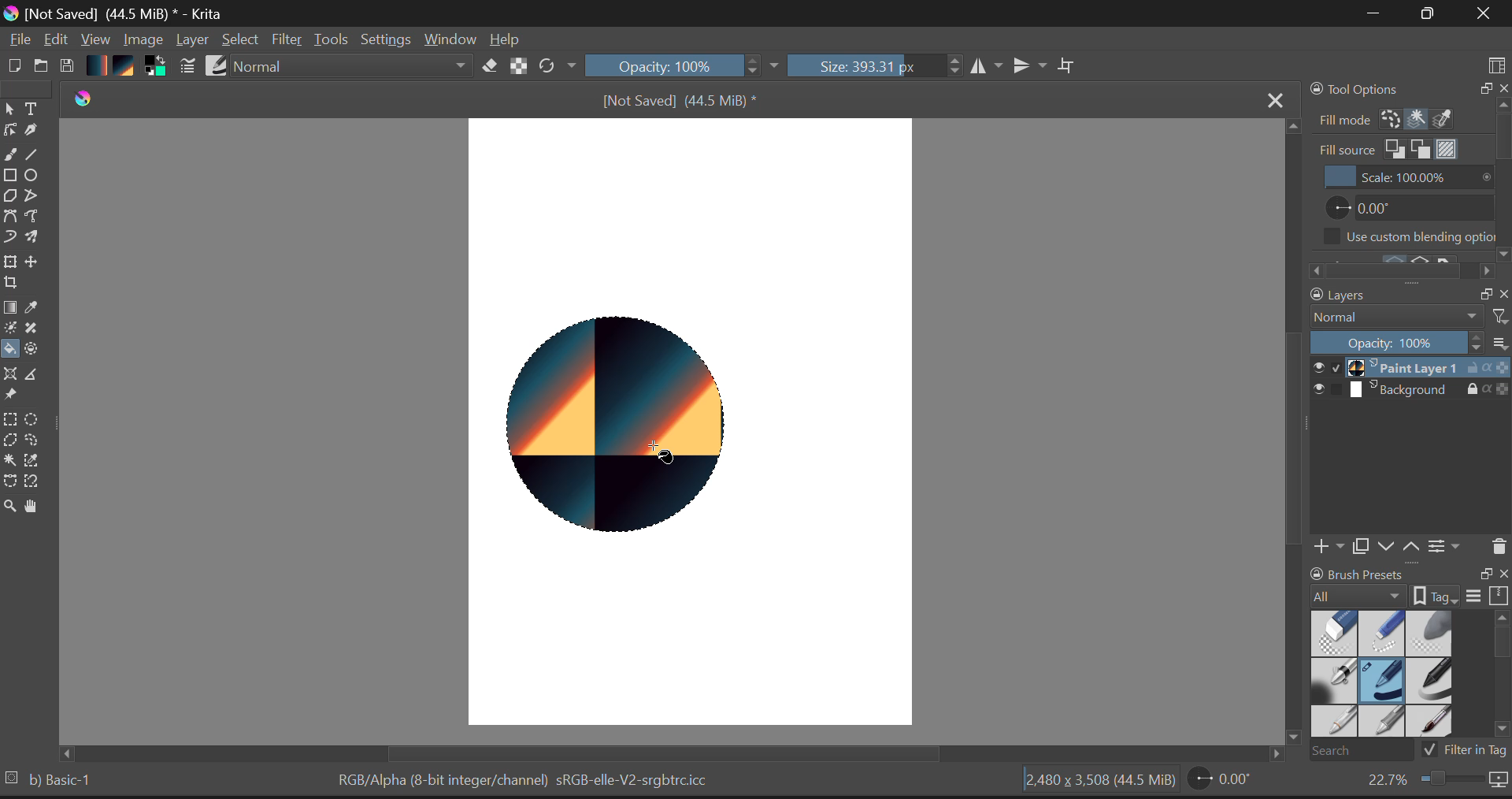 This screenshot has height=799, width=1512. What do you see at coordinates (557, 67) in the screenshot?
I see `Refresh` at bounding box center [557, 67].